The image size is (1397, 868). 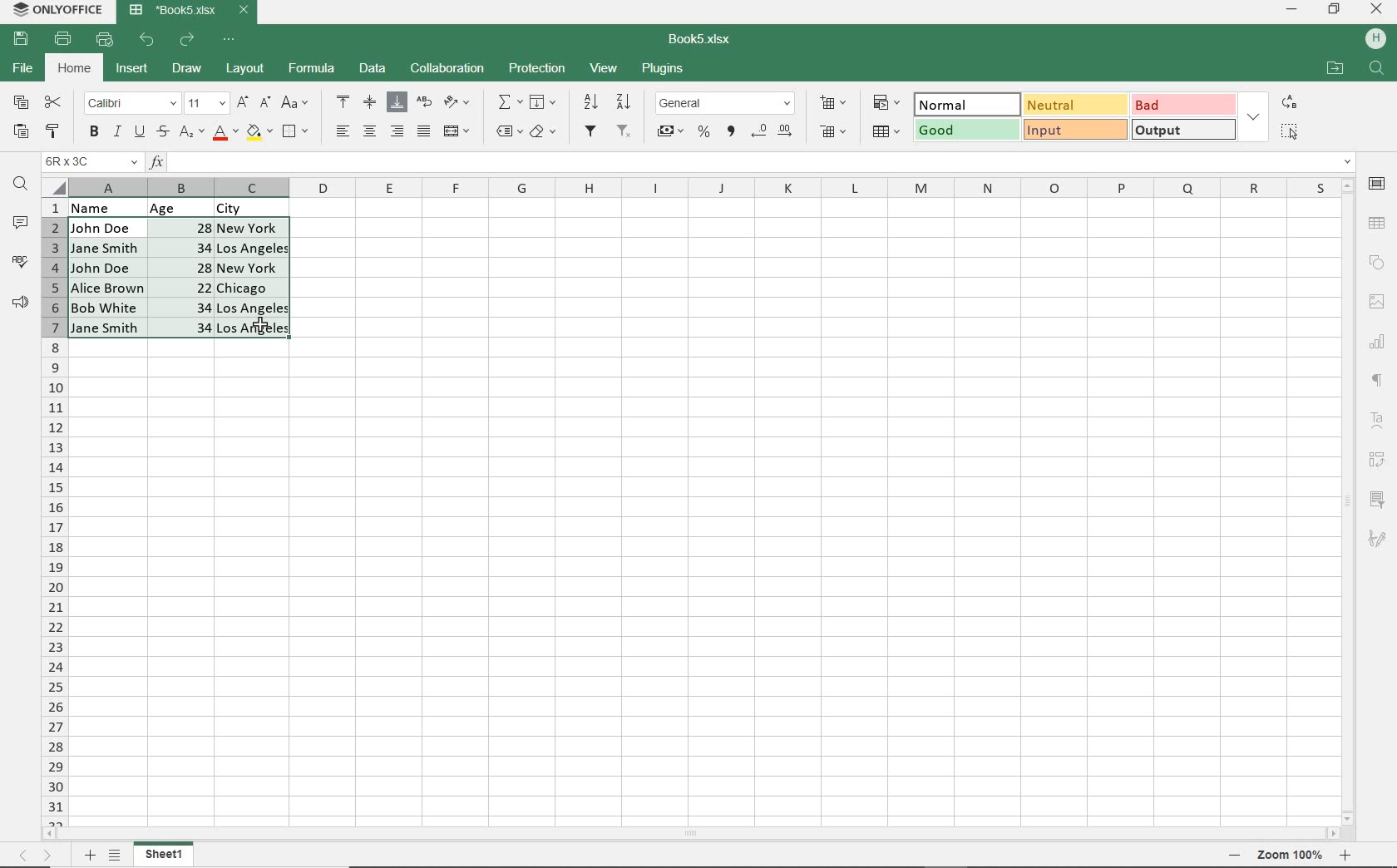 I want to click on FONT SIZE, so click(x=204, y=103).